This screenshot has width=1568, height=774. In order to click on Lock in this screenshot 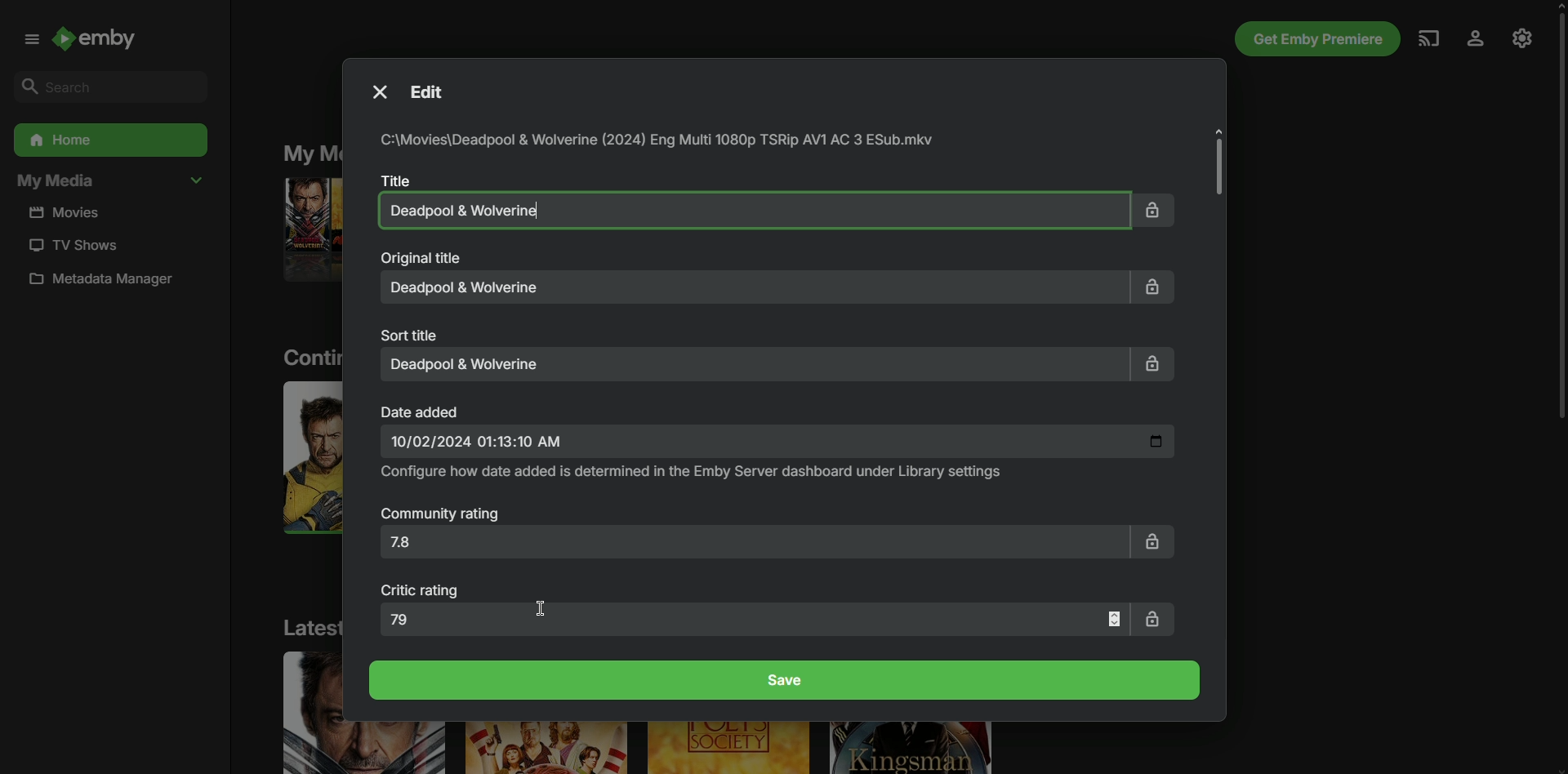, I will do `click(1154, 208)`.